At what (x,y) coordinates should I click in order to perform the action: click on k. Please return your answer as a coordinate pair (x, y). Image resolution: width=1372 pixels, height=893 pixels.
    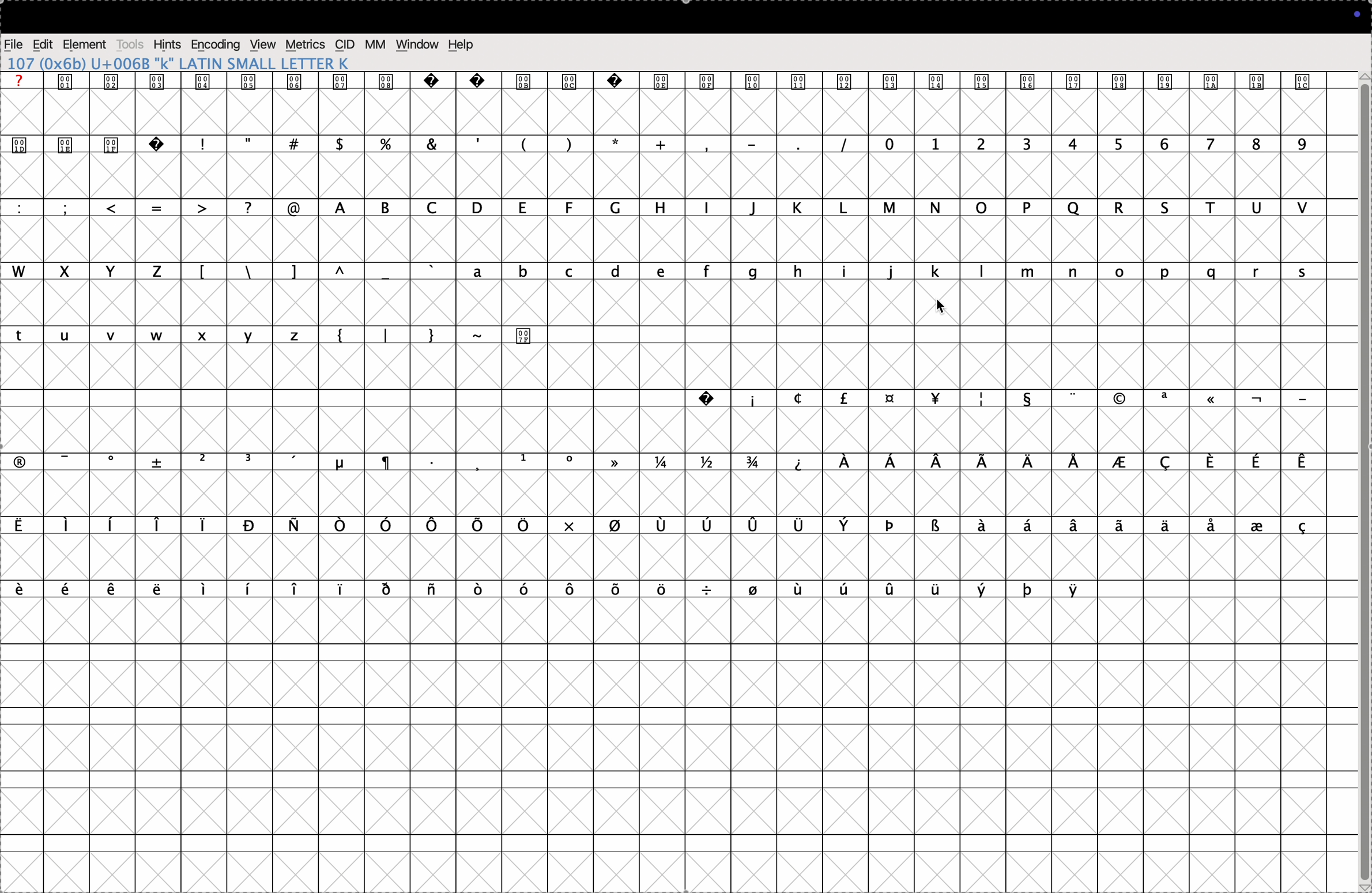
    Looking at the image, I should click on (798, 209).